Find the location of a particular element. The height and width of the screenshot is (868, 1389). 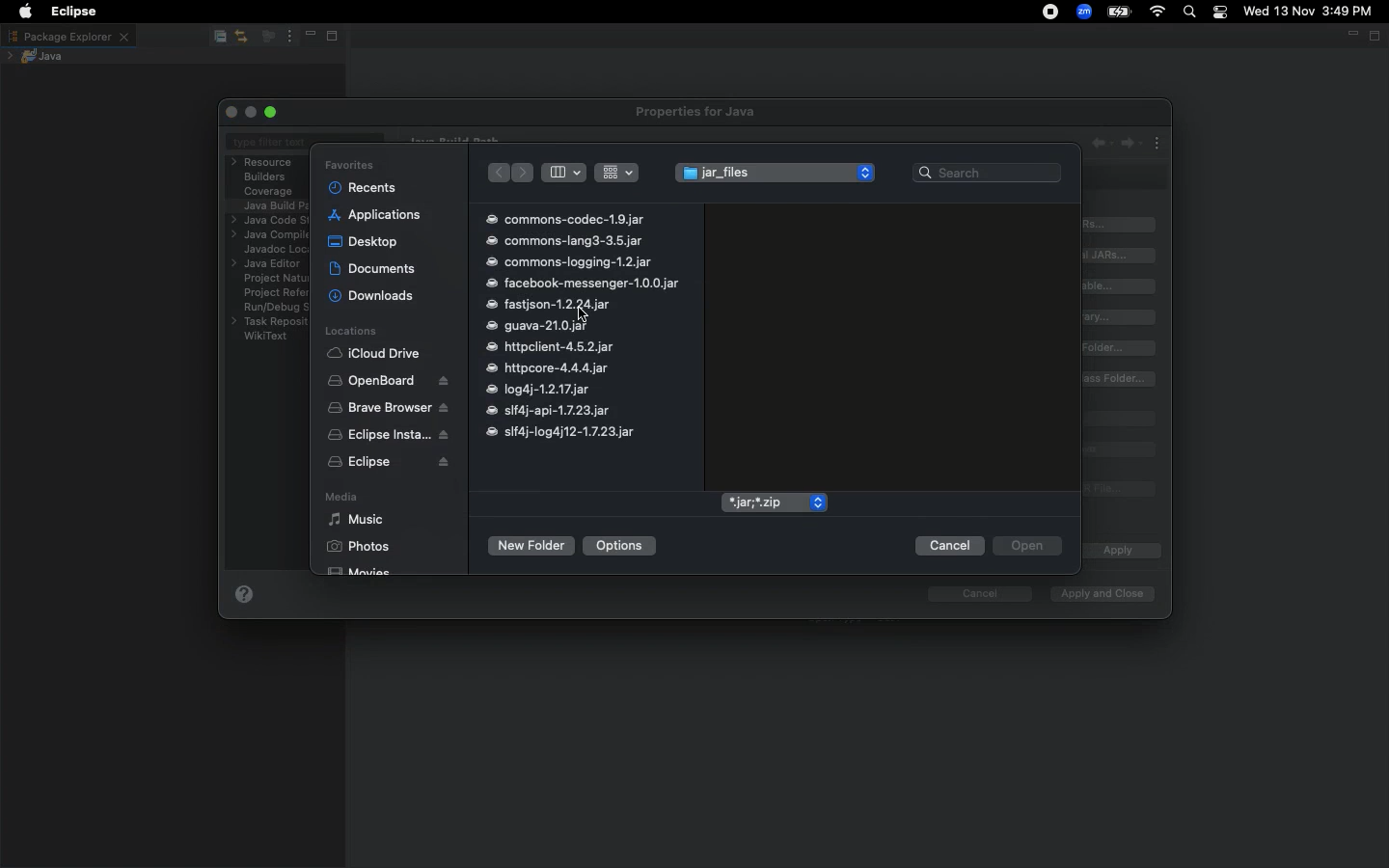

Link with editor is located at coordinates (242, 36).